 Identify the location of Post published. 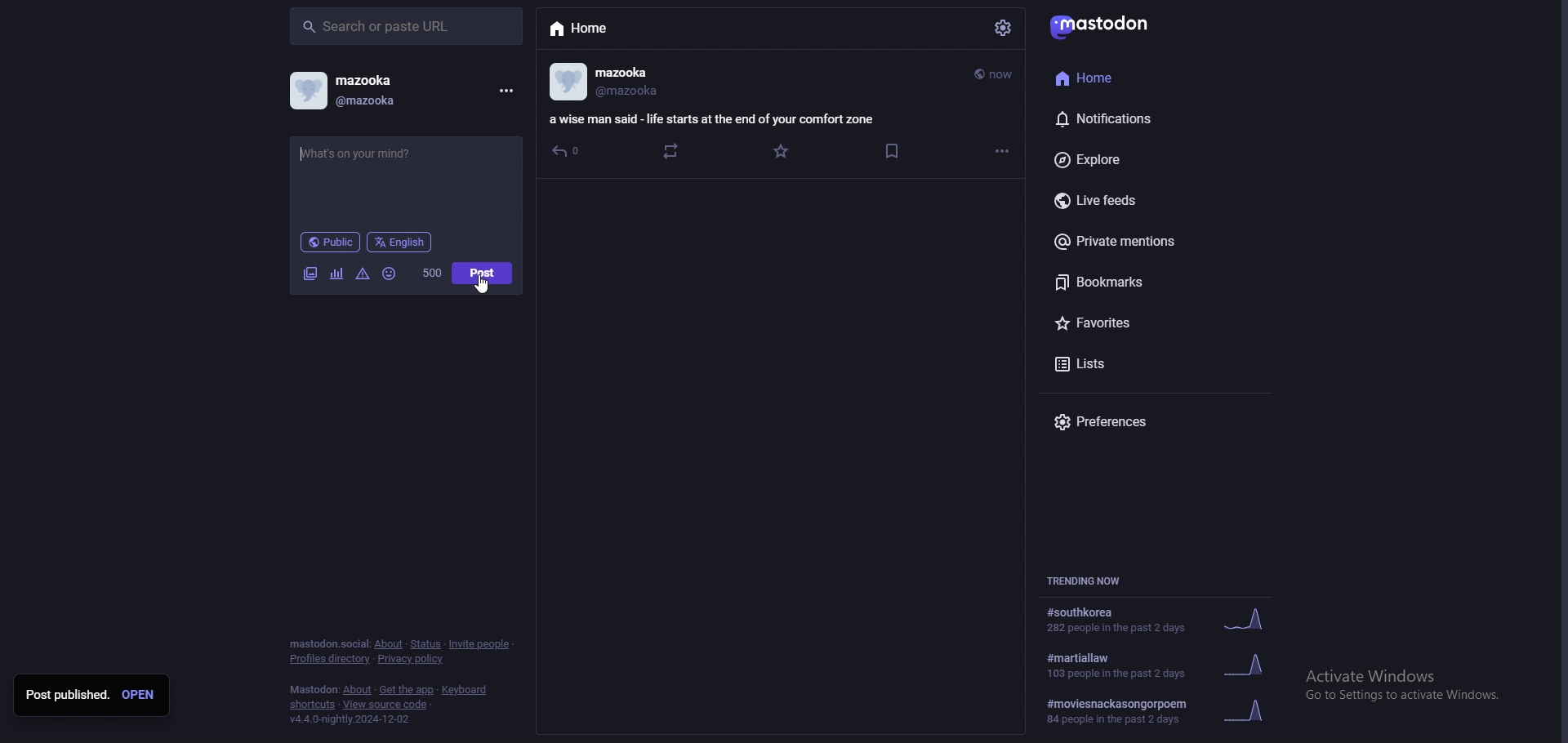
(68, 692).